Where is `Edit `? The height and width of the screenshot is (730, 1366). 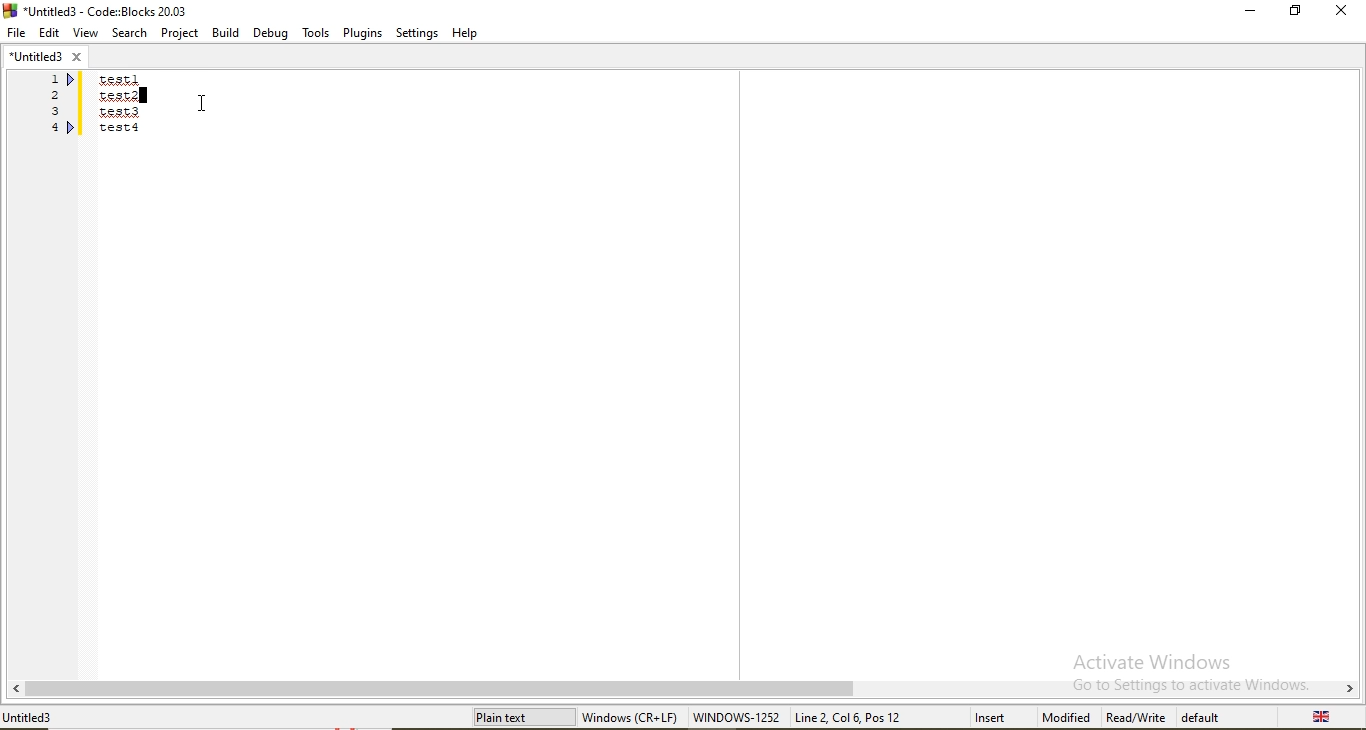
Edit  is located at coordinates (47, 31).